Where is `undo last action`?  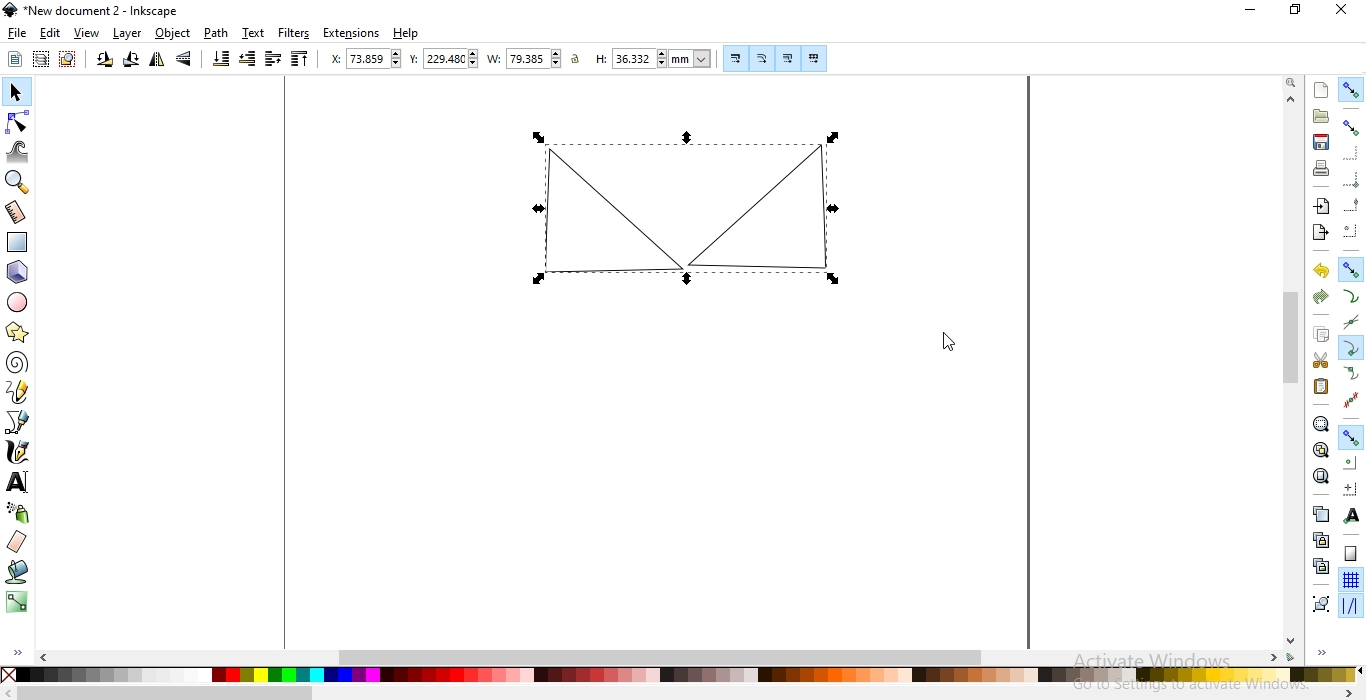 undo last action is located at coordinates (1323, 272).